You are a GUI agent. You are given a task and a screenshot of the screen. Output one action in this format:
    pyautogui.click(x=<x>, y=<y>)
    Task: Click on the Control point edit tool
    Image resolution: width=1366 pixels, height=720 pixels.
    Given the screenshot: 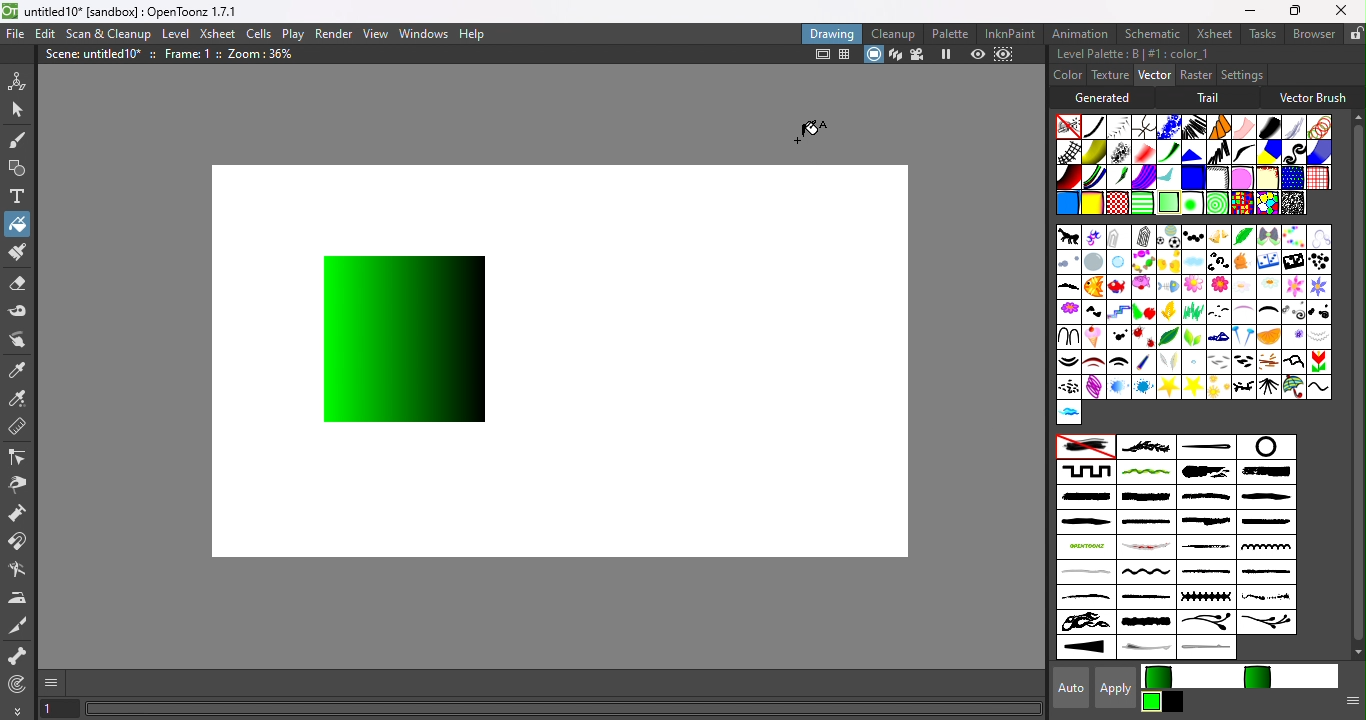 What is the action you would take?
    pyautogui.click(x=20, y=456)
    